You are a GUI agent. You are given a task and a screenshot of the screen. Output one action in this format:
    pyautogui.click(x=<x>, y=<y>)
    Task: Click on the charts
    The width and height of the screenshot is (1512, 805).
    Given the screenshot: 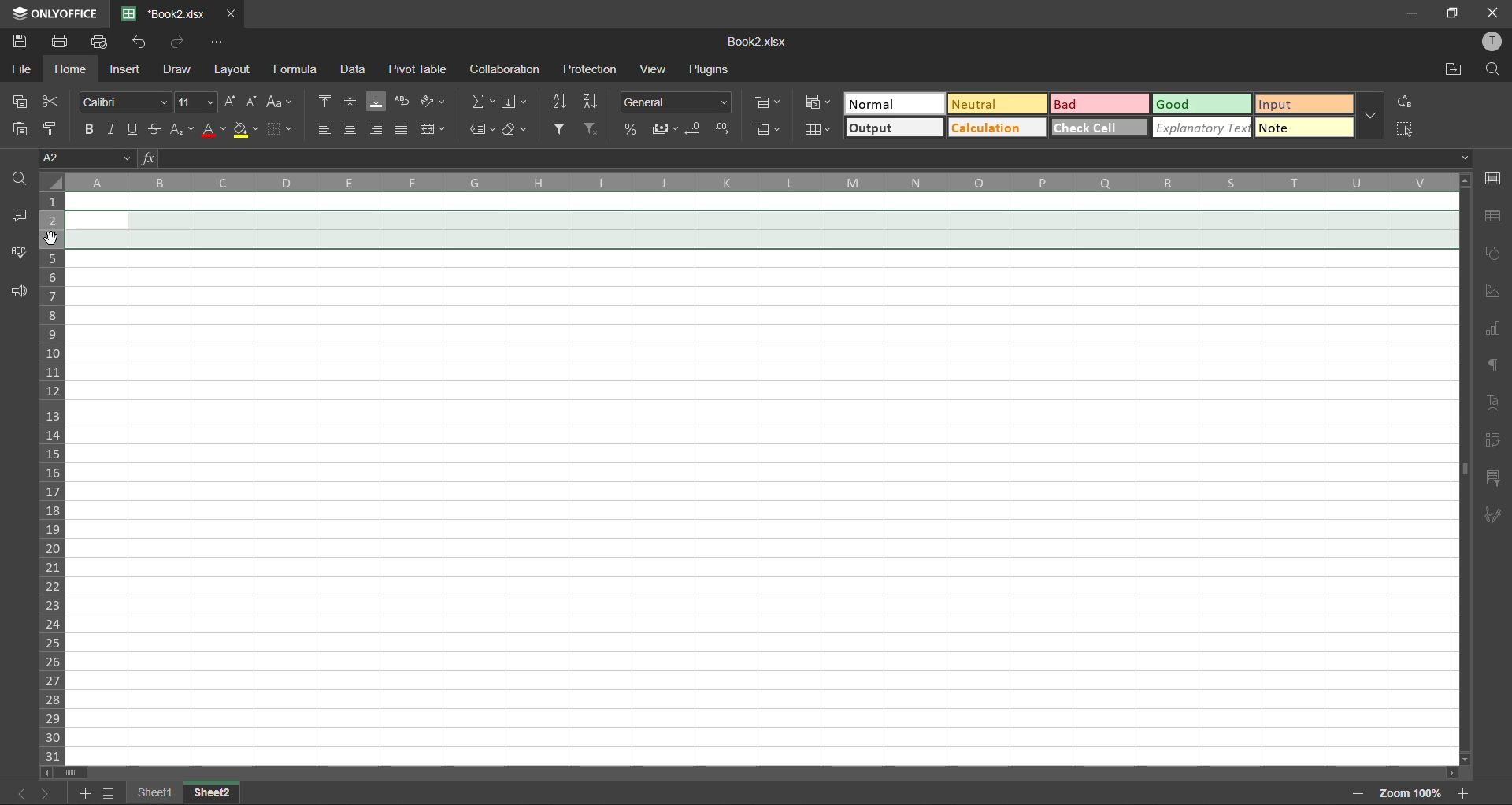 What is the action you would take?
    pyautogui.click(x=1494, y=332)
    